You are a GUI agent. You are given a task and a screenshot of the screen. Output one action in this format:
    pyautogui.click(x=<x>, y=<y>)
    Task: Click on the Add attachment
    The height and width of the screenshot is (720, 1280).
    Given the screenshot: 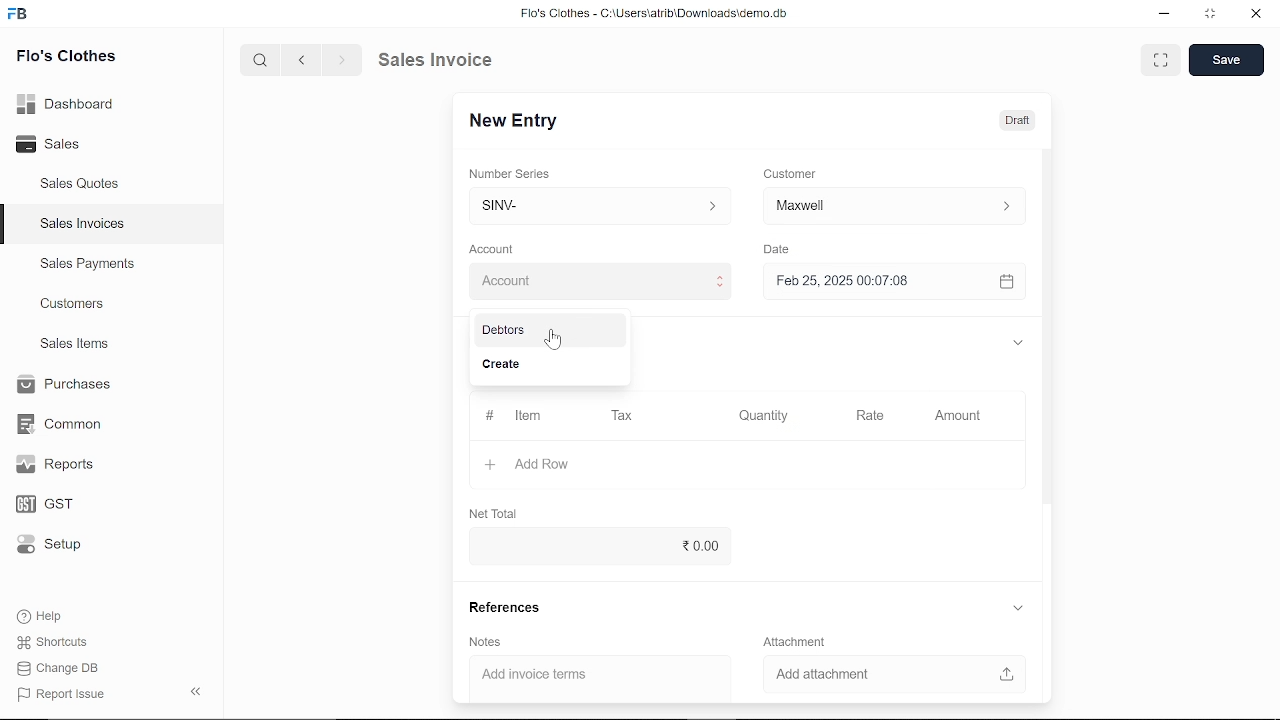 What is the action you would take?
    pyautogui.click(x=890, y=675)
    